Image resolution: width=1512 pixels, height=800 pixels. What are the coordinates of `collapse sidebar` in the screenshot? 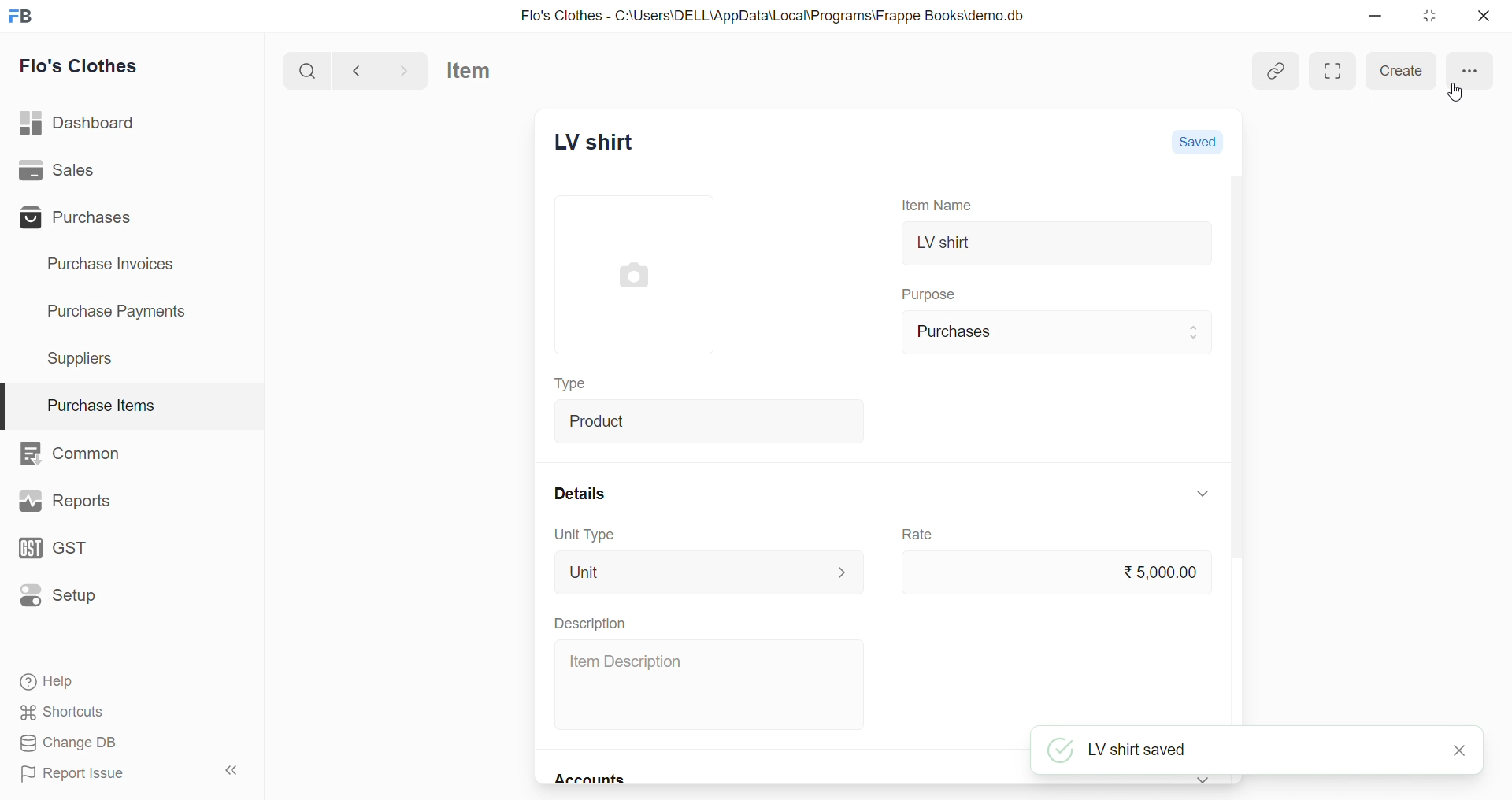 It's located at (238, 772).